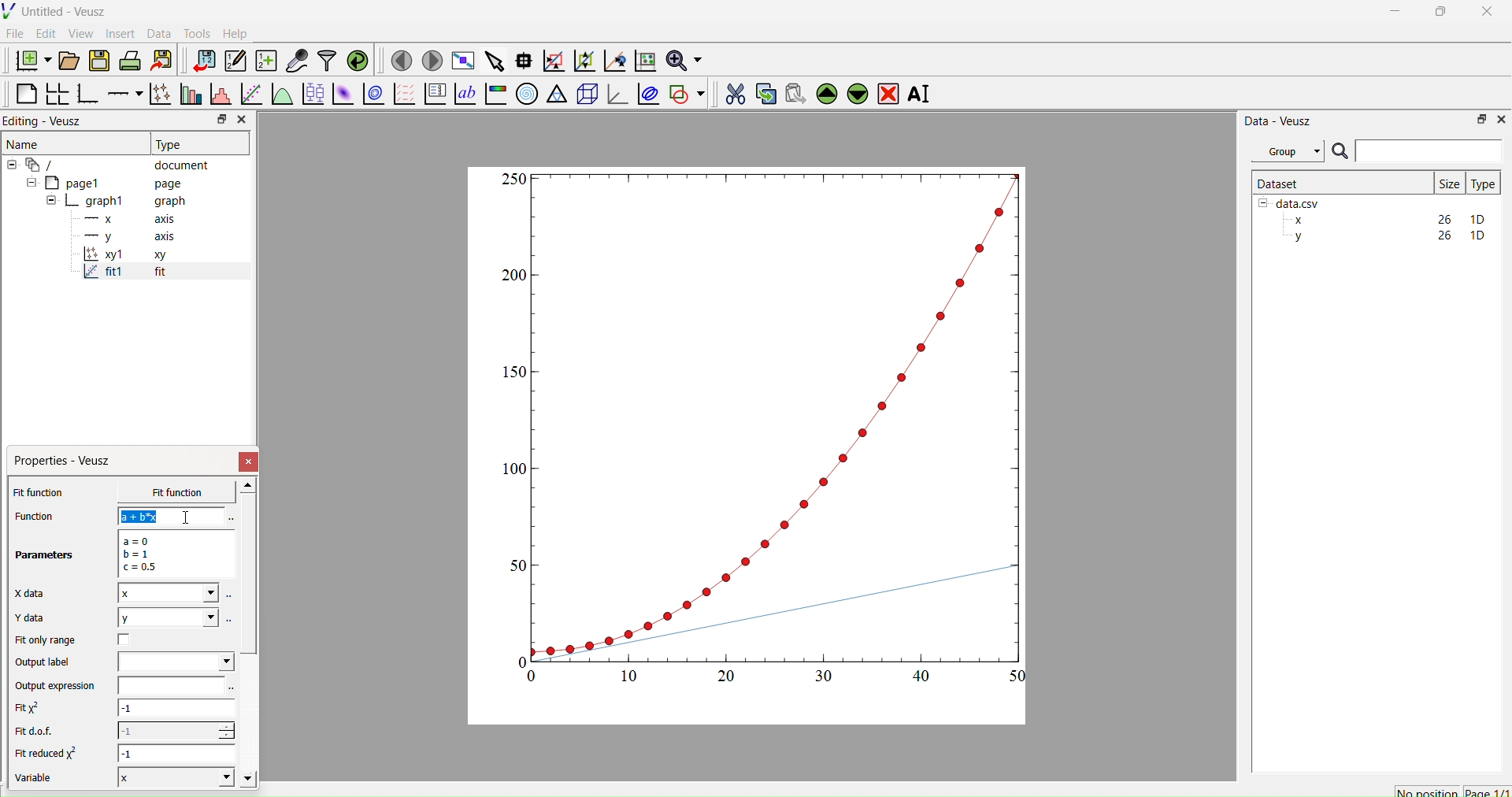 The image size is (1512, 797). I want to click on Export to graphics format, so click(161, 61).